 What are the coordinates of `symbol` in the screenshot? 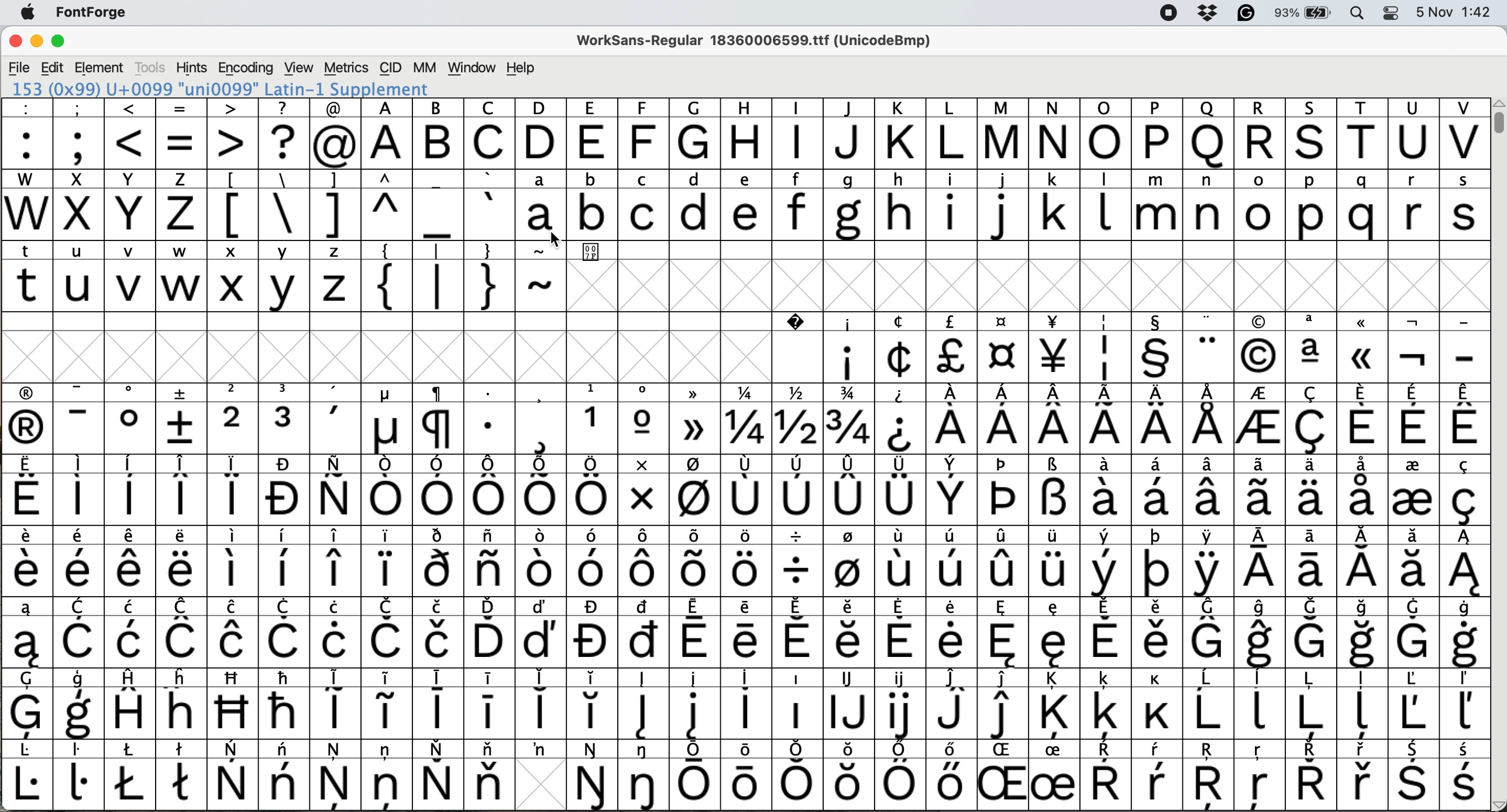 It's located at (749, 632).